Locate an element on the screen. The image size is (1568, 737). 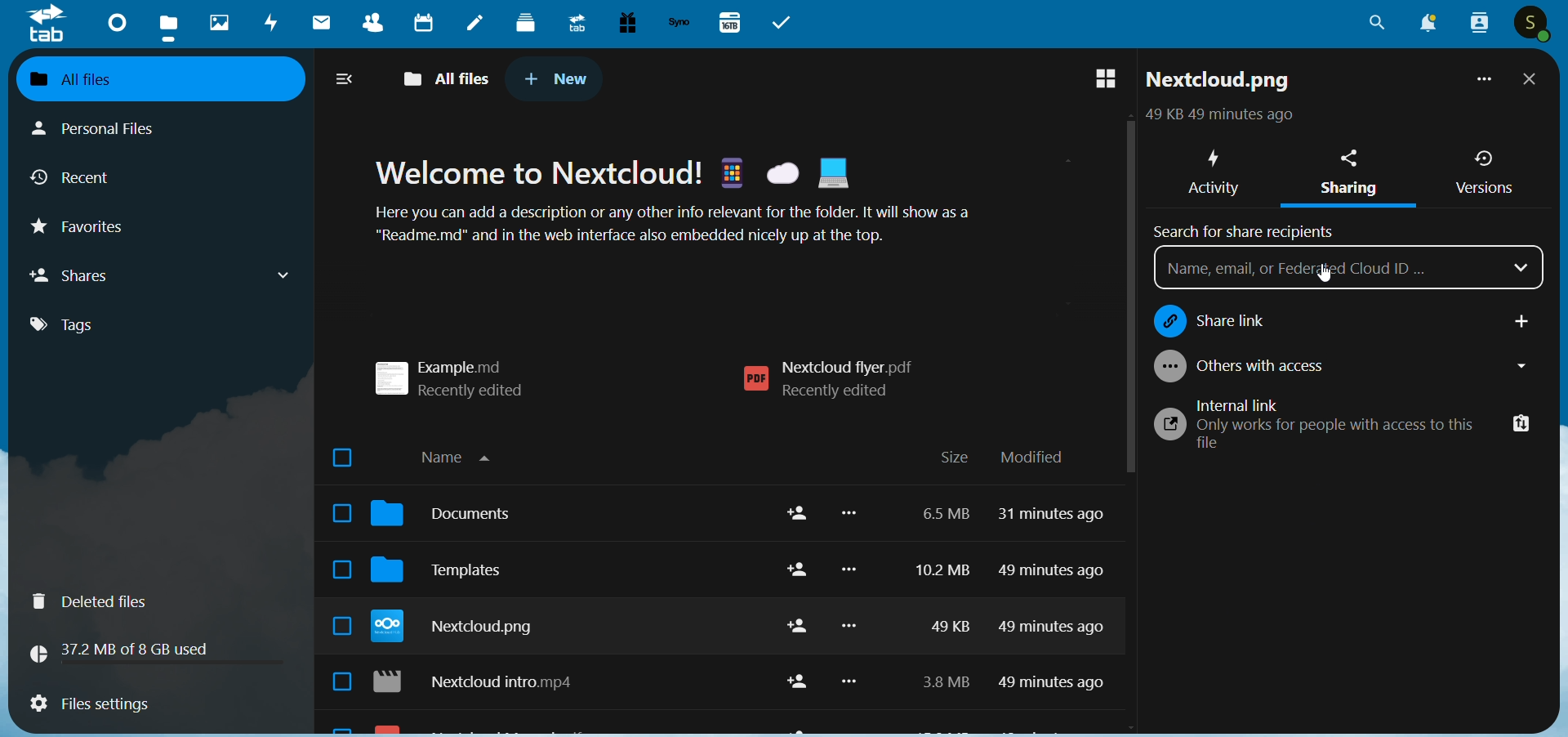
dashboard is located at coordinates (114, 21).